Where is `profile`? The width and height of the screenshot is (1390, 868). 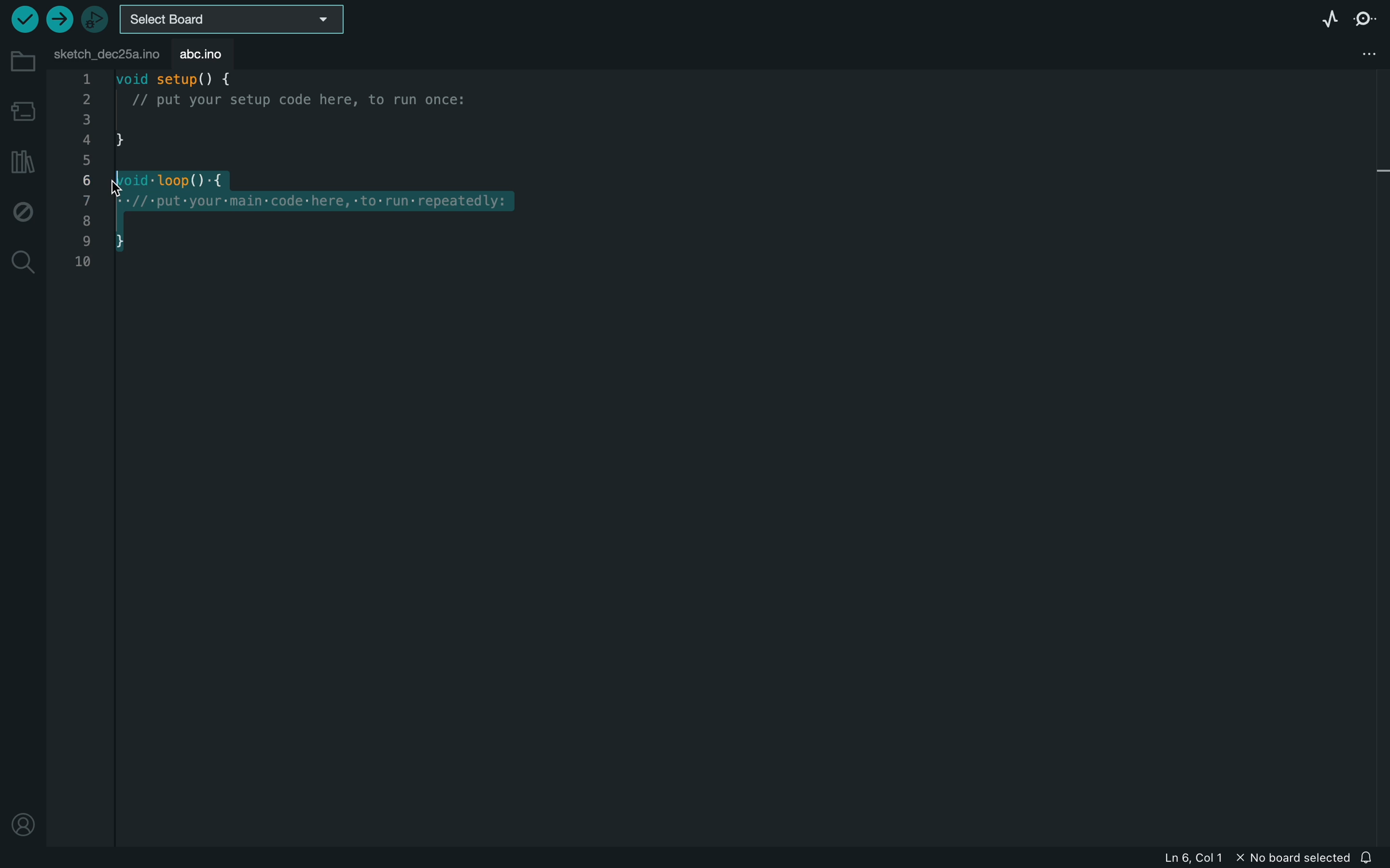 profile is located at coordinates (24, 828).